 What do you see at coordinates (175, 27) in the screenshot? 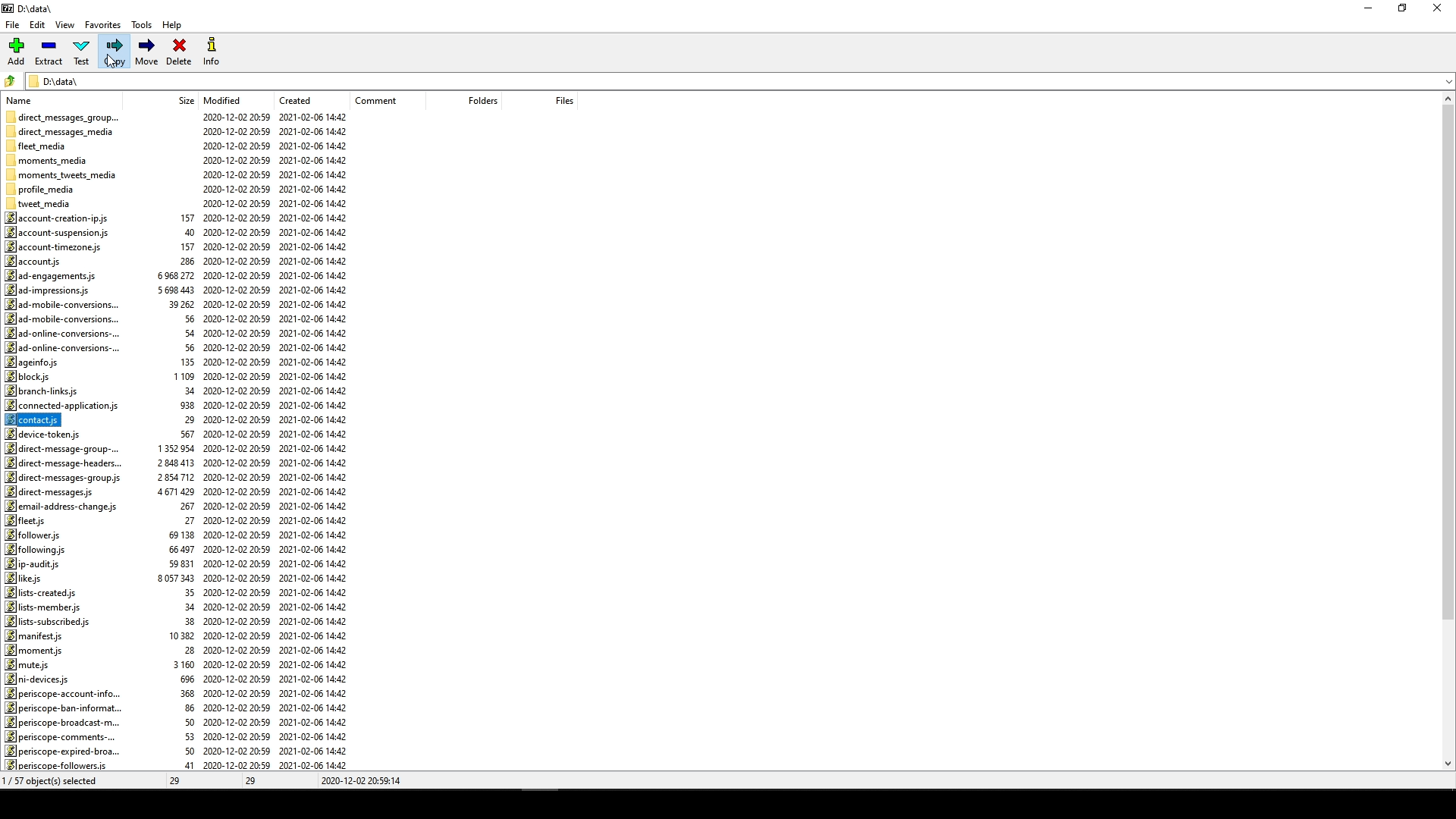
I see `Help` at bounding box center [175, 27].